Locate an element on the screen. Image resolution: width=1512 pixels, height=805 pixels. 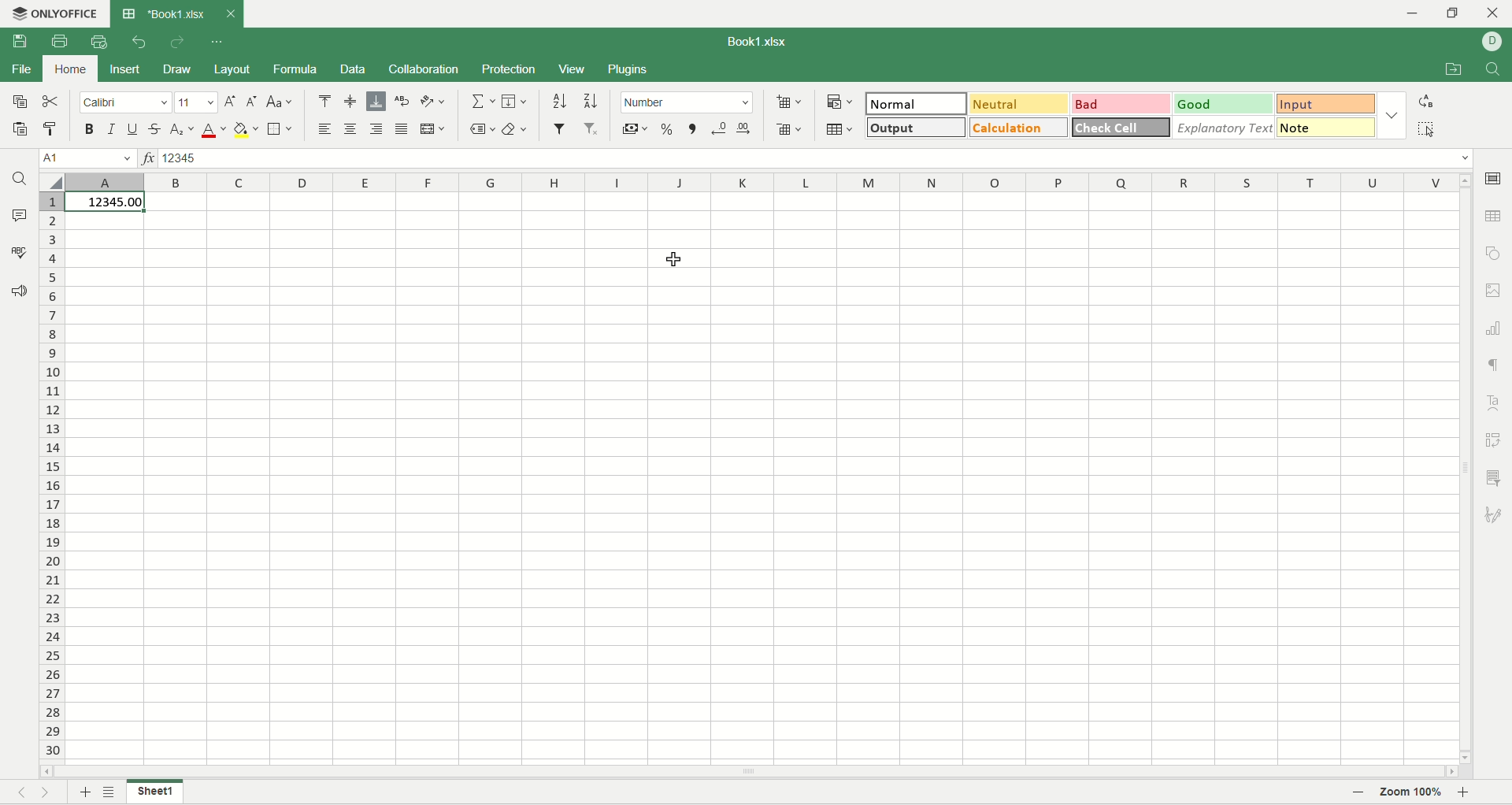
normal is located at coordinates (917, 103).